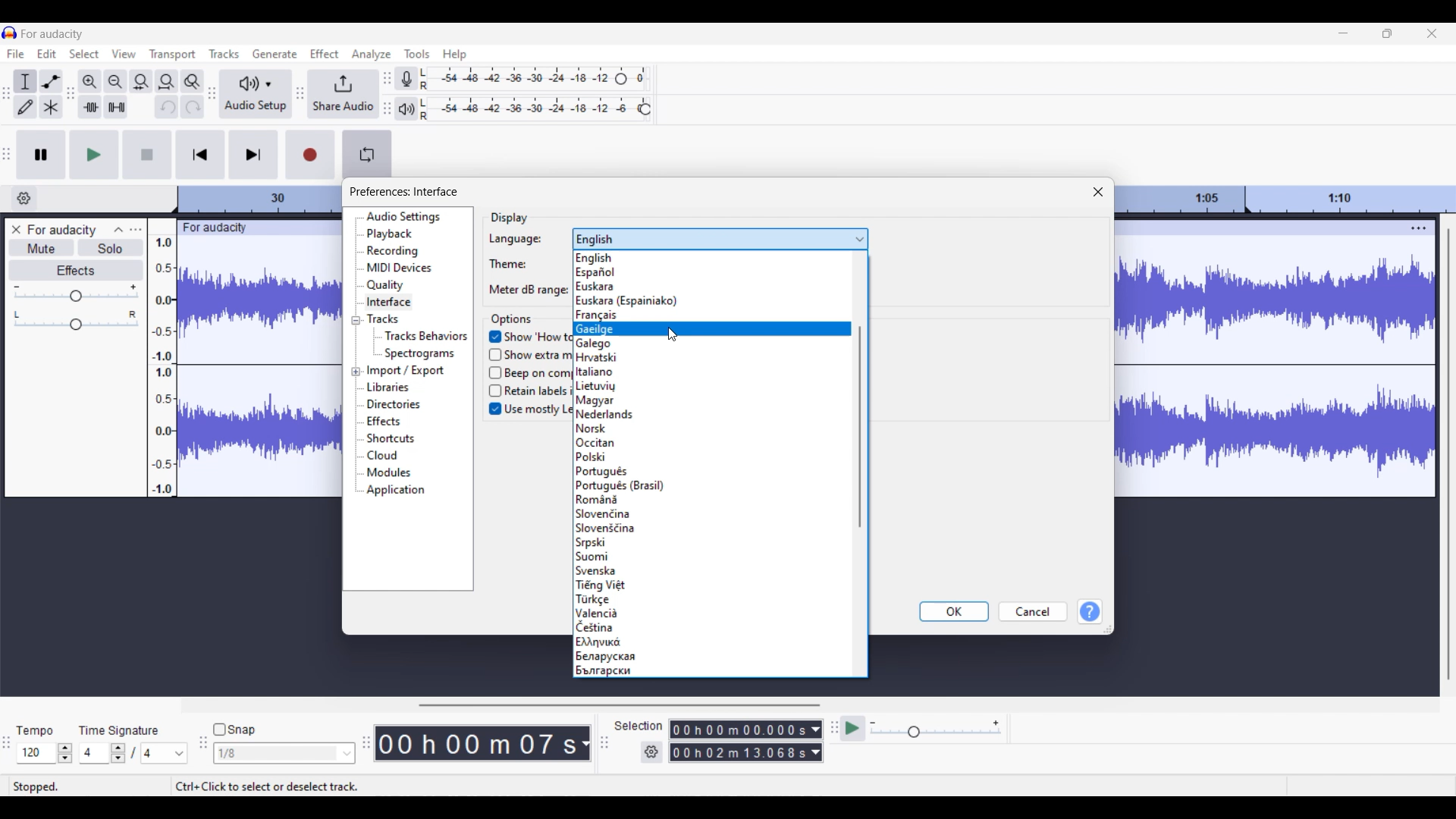 The height and width of the screenshot is (819, 1456). Describe the element at coordinates (522, 412) in the screenshot. I see `Use mostly Left-to-Right layouts in RTL languages` at that location.